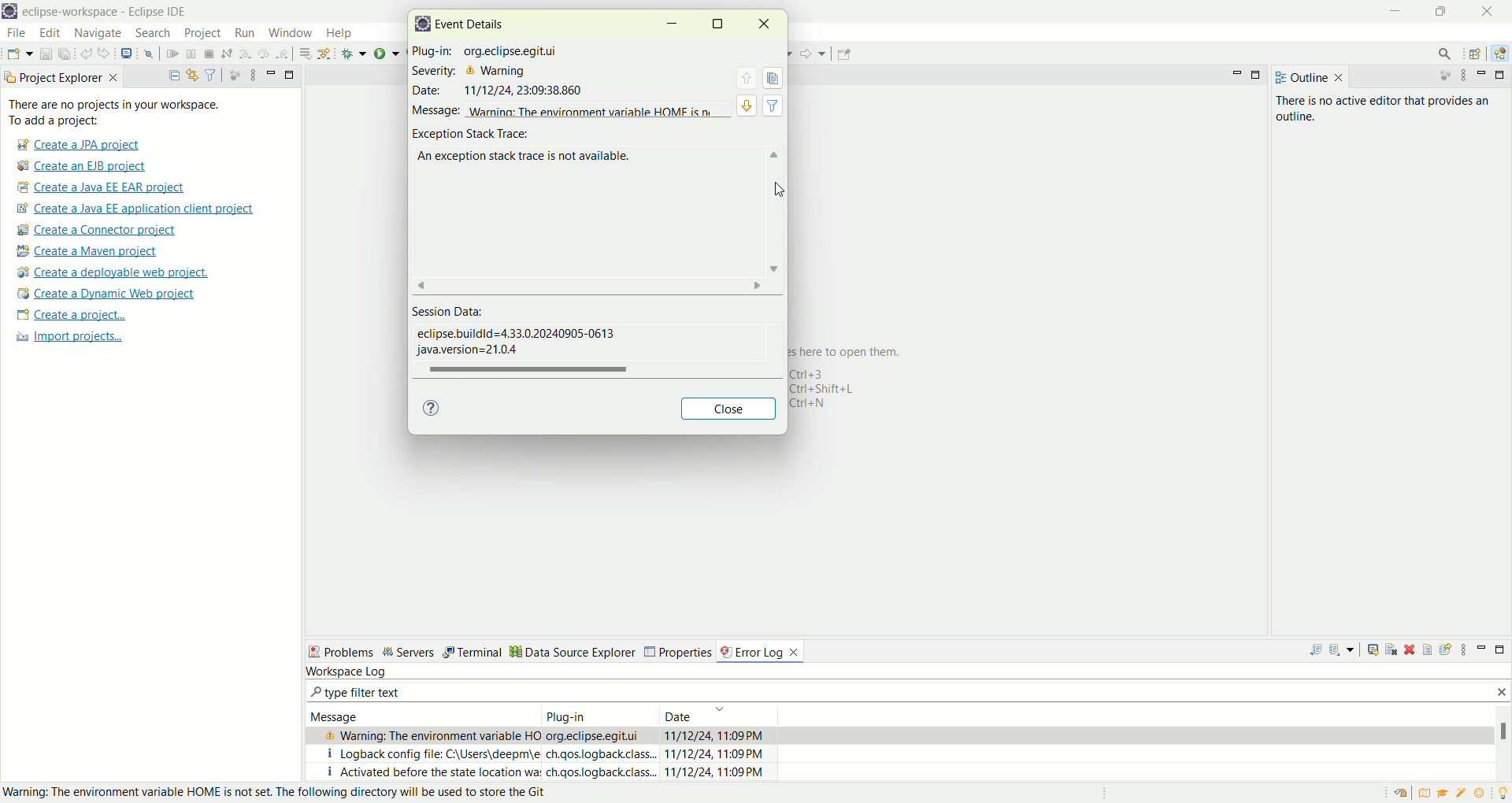  What do you see at coordinates (1393, 12) in the screenshot?
I see `minimize` at bounding box center [1393, 12].